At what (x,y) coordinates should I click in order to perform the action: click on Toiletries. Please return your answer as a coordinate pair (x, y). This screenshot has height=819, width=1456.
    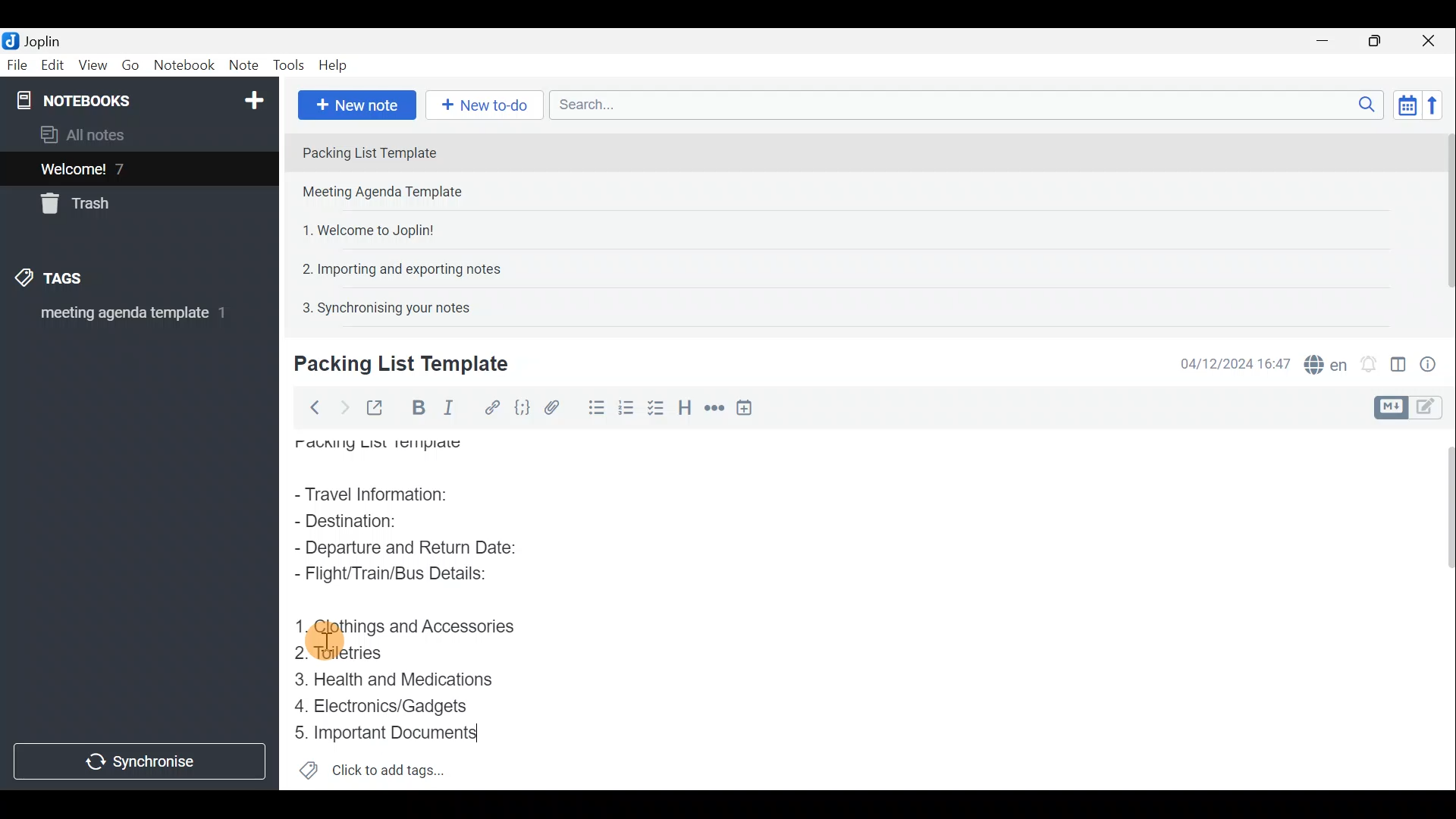
    Looking at the image, I should click on (345, 654).